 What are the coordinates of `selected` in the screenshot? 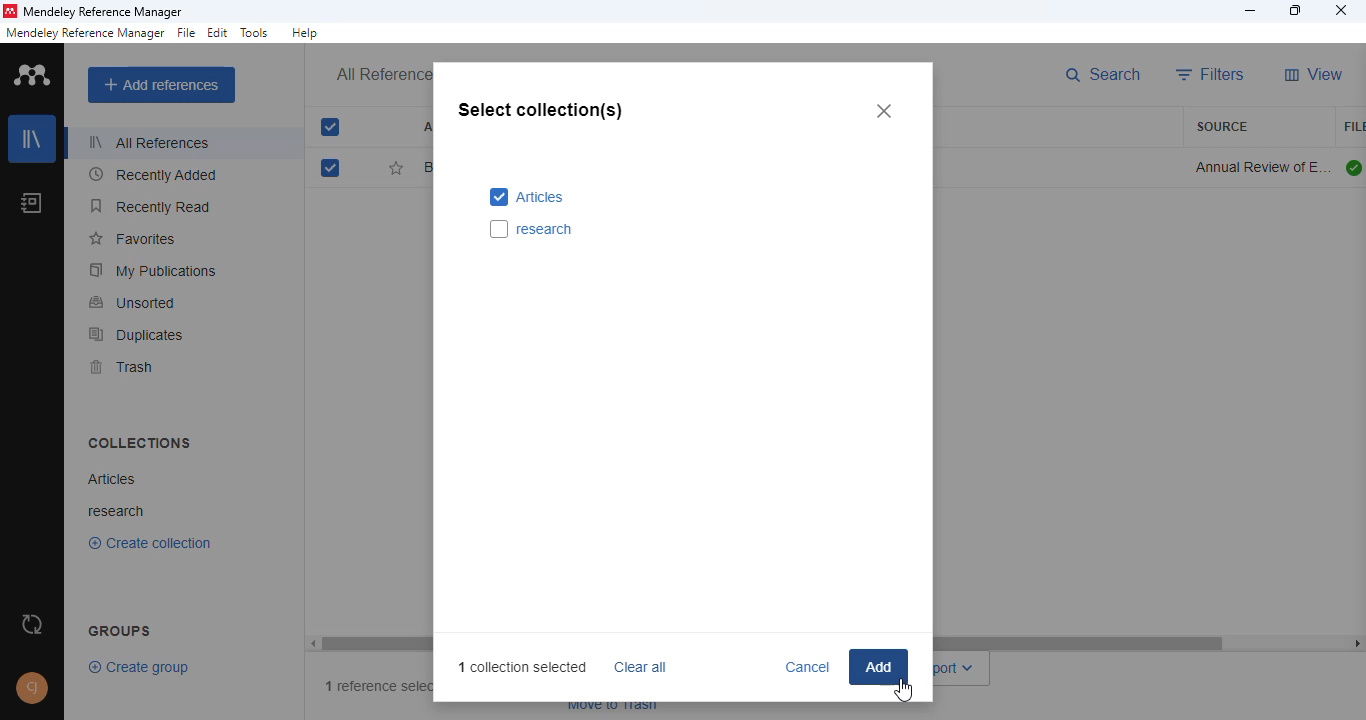 It's located at (499, 196).